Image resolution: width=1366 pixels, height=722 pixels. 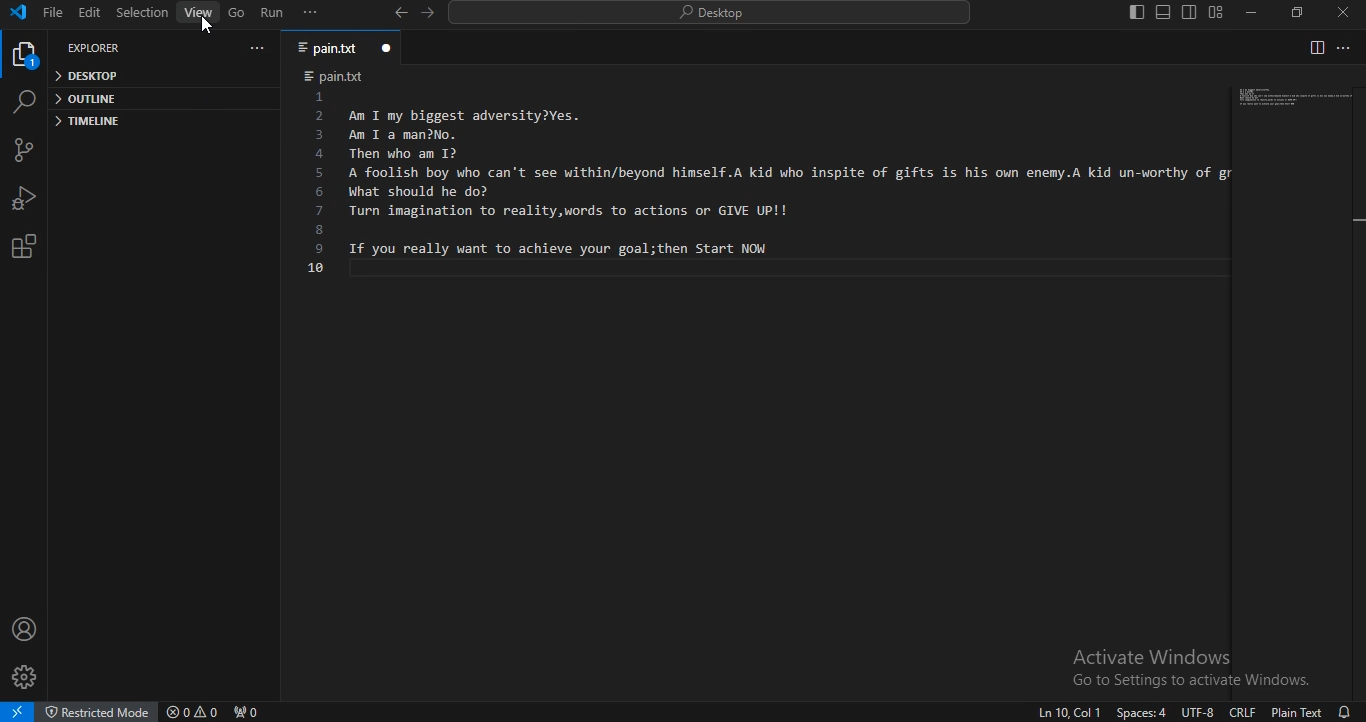 What do you see at coordinates (27, 676) in the screenshot?
I see `manage` at bounding box center [27, 676].